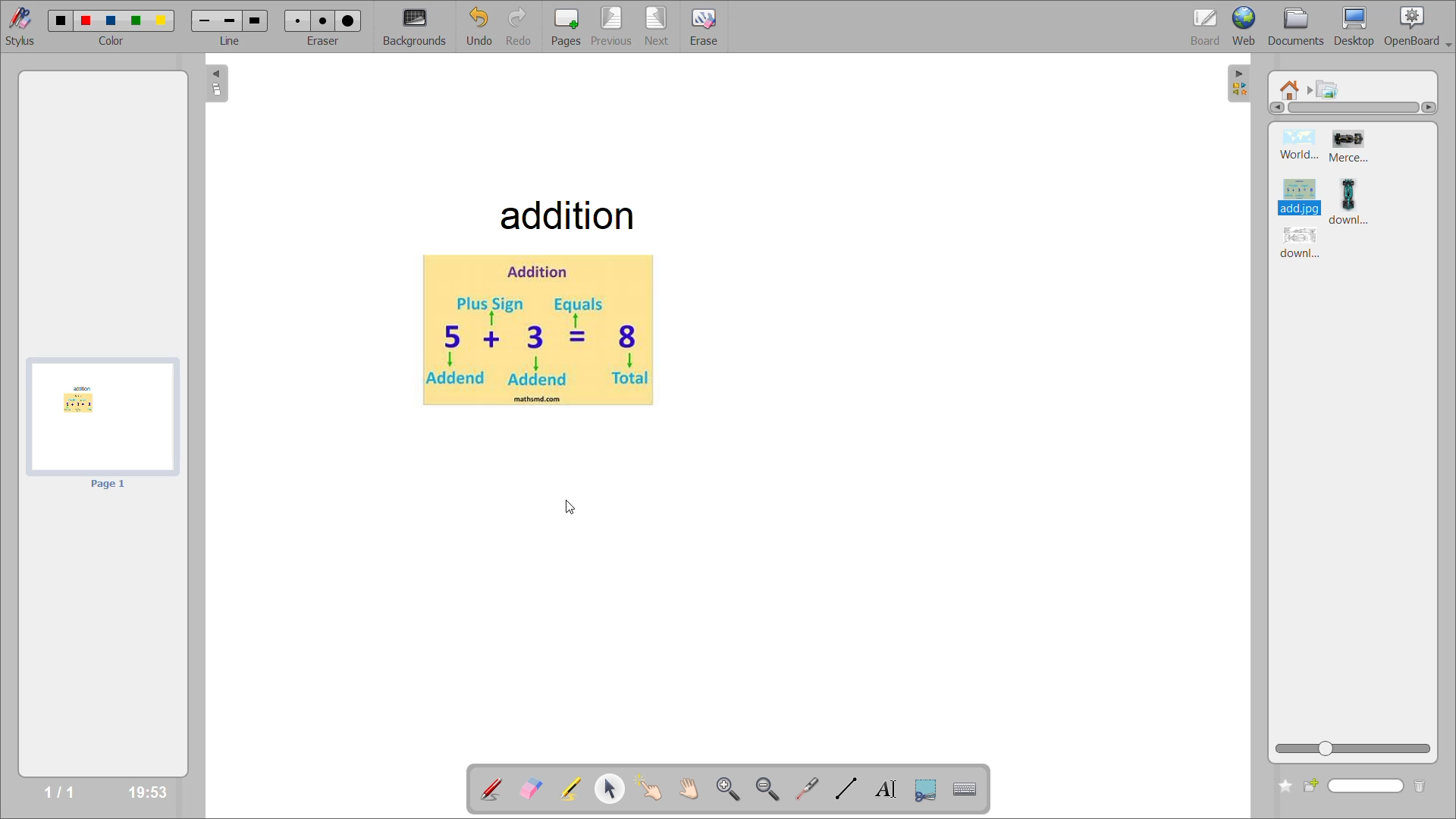  What do you see at coordinates (1355, 787) in the screenshot?
I see `search` at bounding box center [1355, 787].